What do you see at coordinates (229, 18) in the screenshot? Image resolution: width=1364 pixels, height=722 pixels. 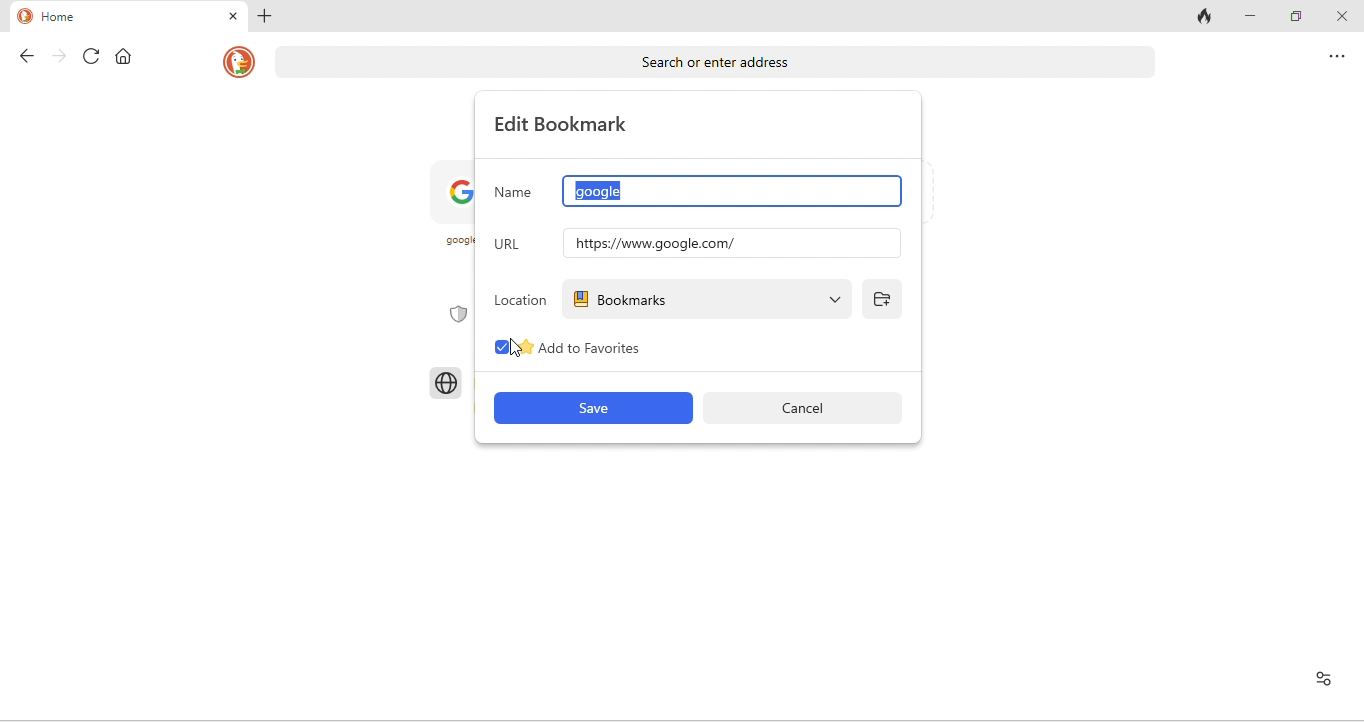 I see `close` at bounding box center [229, 18].